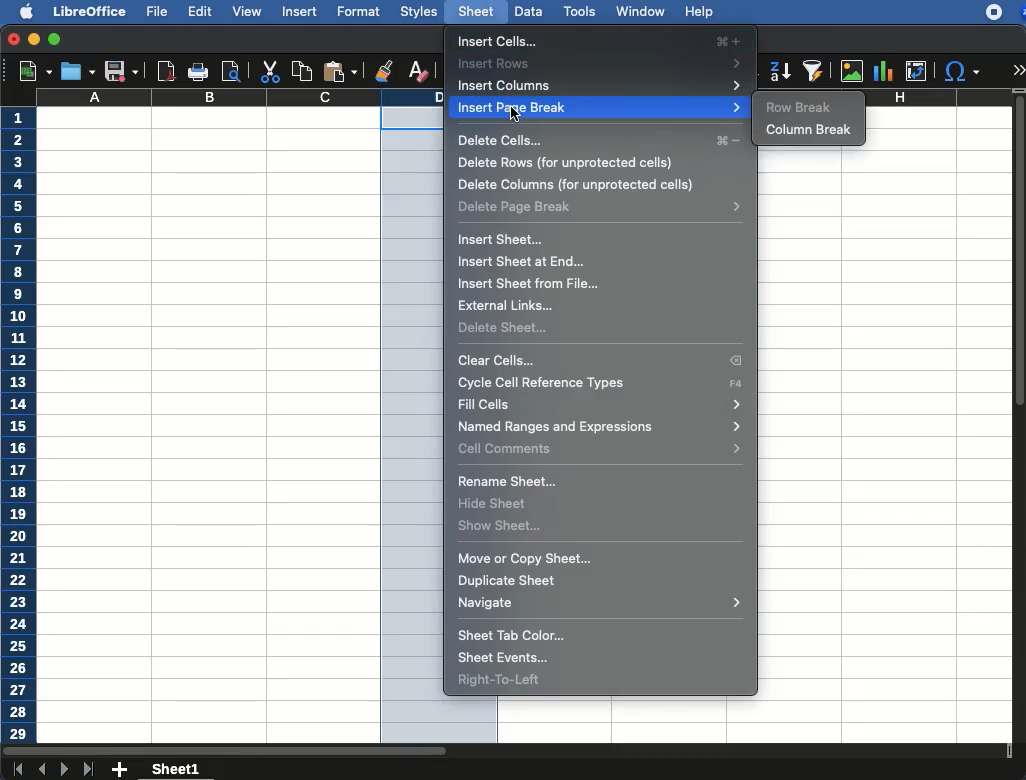 This screenshot has width=1026, height=780. Describe the element at coordinates (63, 771) in the screenshot. I see `next sheet` at that location.